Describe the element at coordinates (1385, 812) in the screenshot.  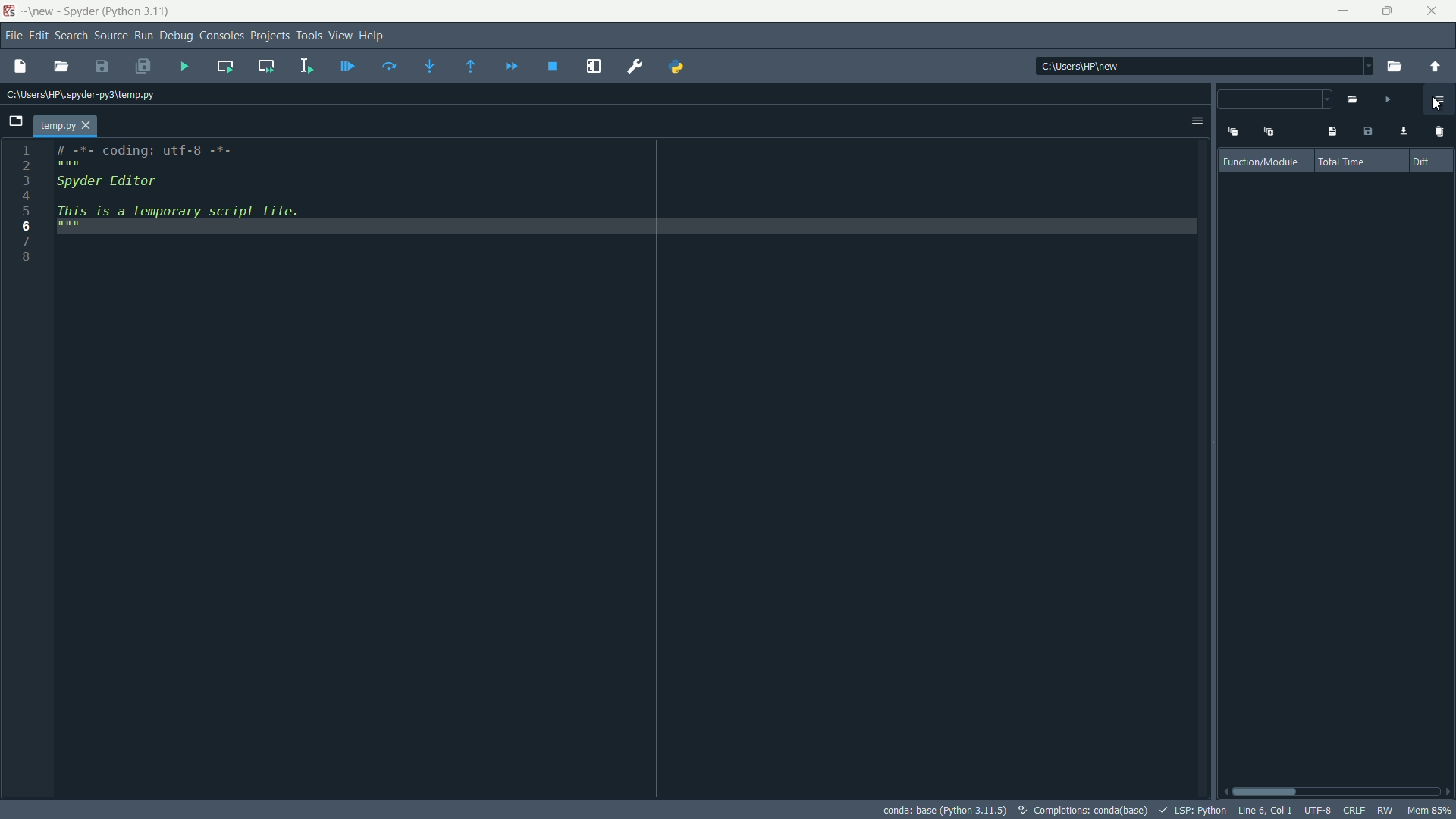
I see `rw` at that location.